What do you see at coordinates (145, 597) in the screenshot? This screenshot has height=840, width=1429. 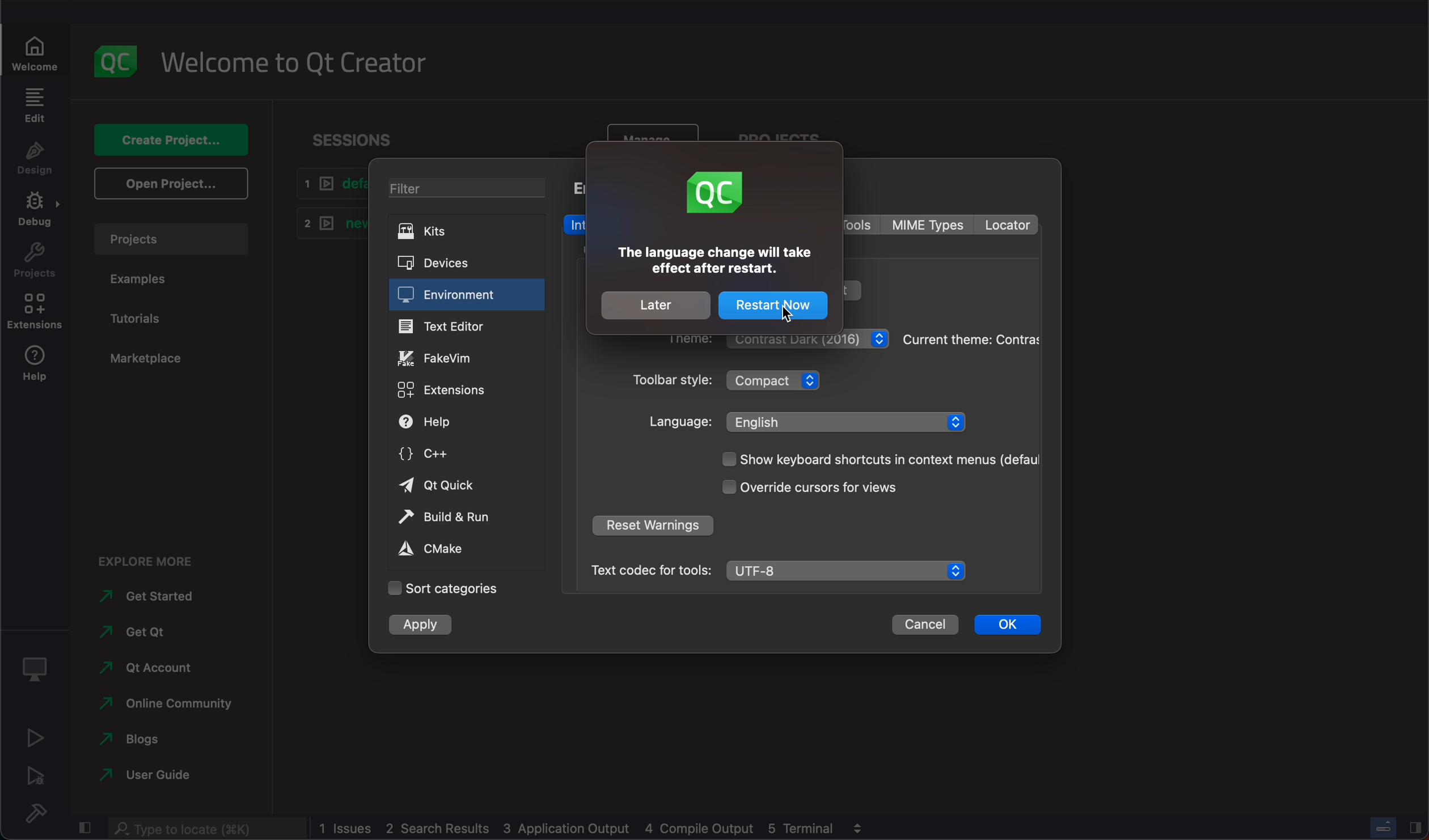 I see `get started` at bounding box center [145, 597].